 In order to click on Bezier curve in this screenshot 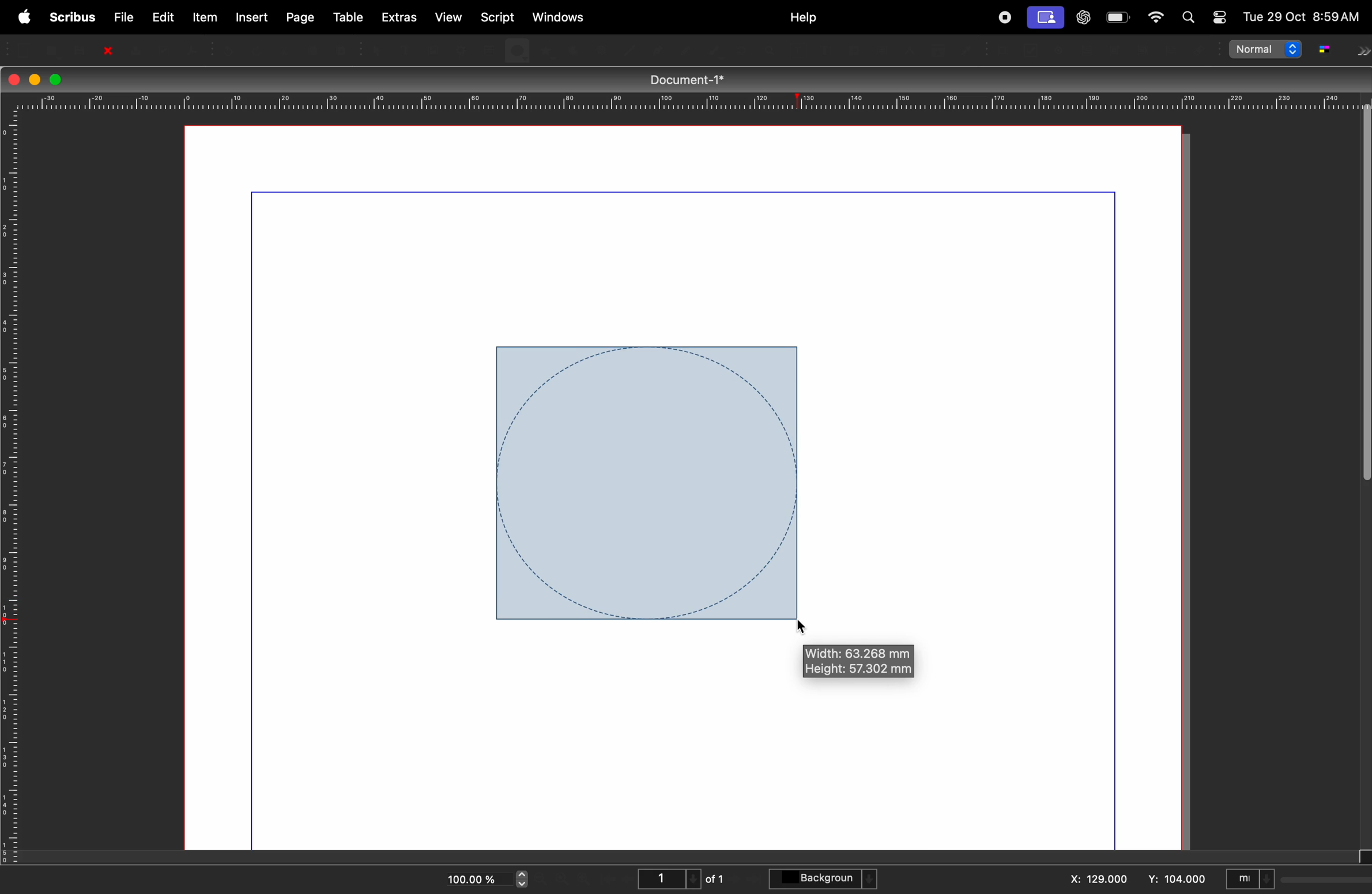, I will do `click(687, 50)`.